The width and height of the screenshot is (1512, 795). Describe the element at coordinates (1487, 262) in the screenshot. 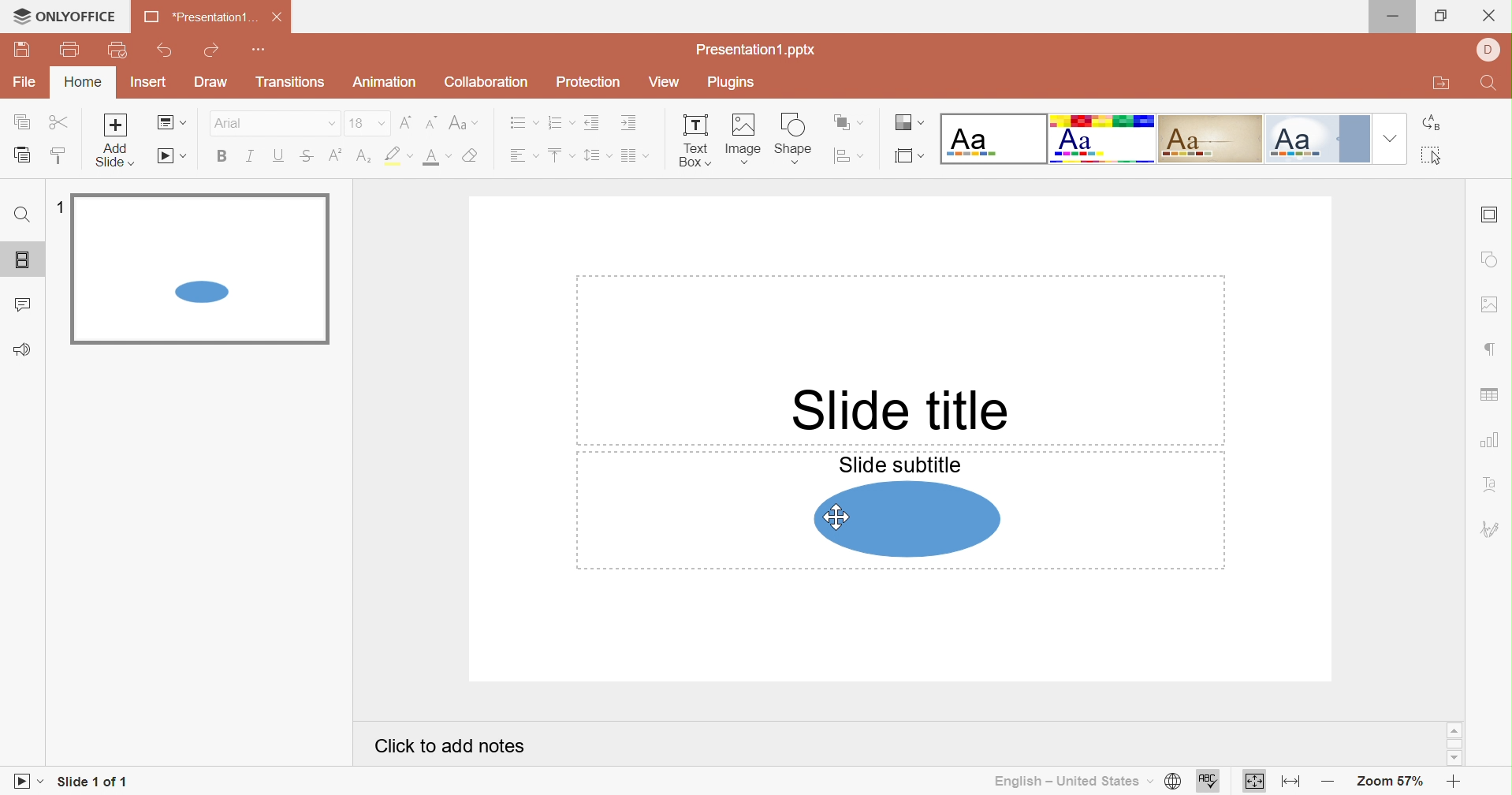

I see `Shape settings` at that location.